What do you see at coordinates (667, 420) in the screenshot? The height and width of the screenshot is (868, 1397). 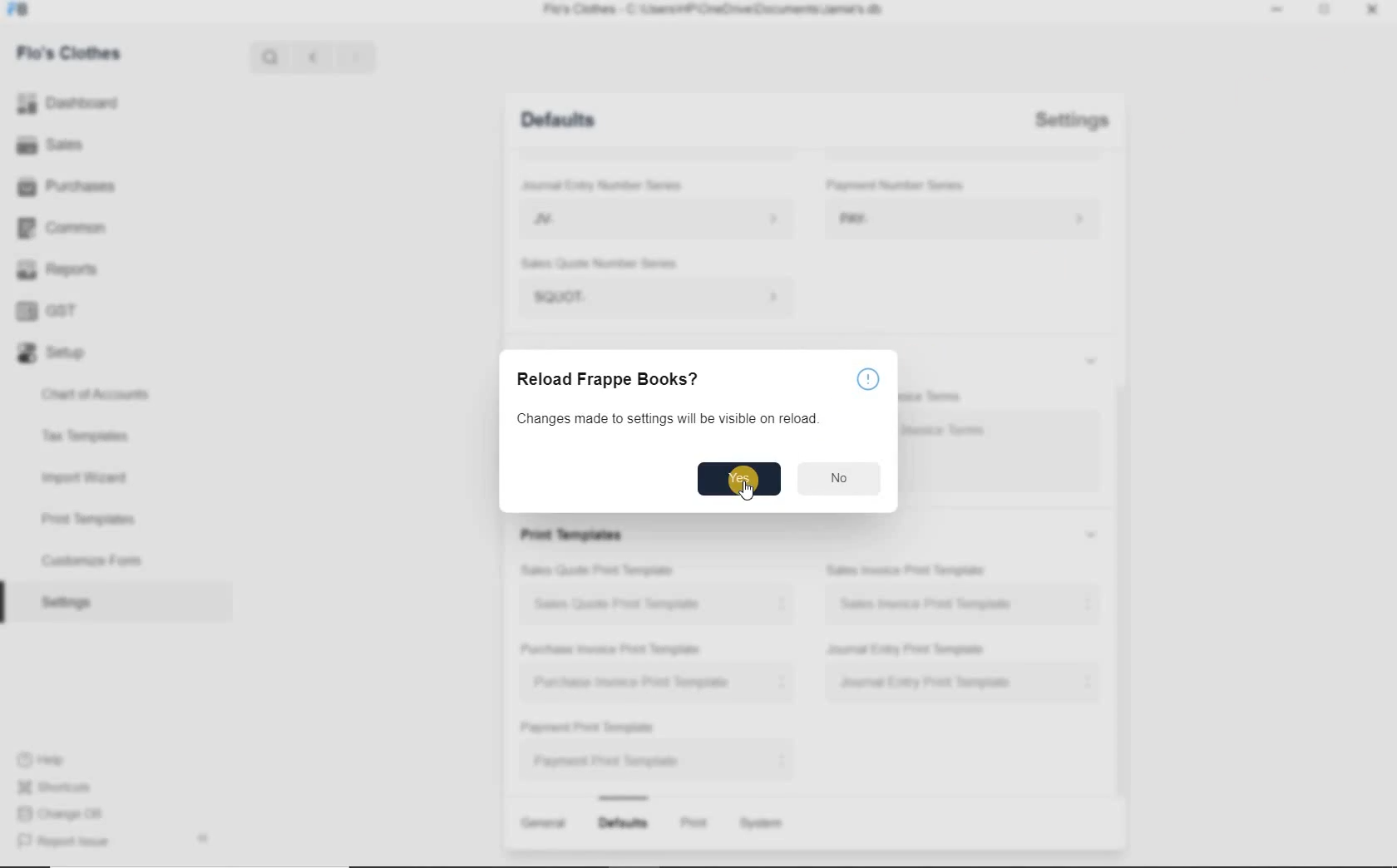 I see `Changes made to settings will be visible on reload` at bounding box center [667, 420].